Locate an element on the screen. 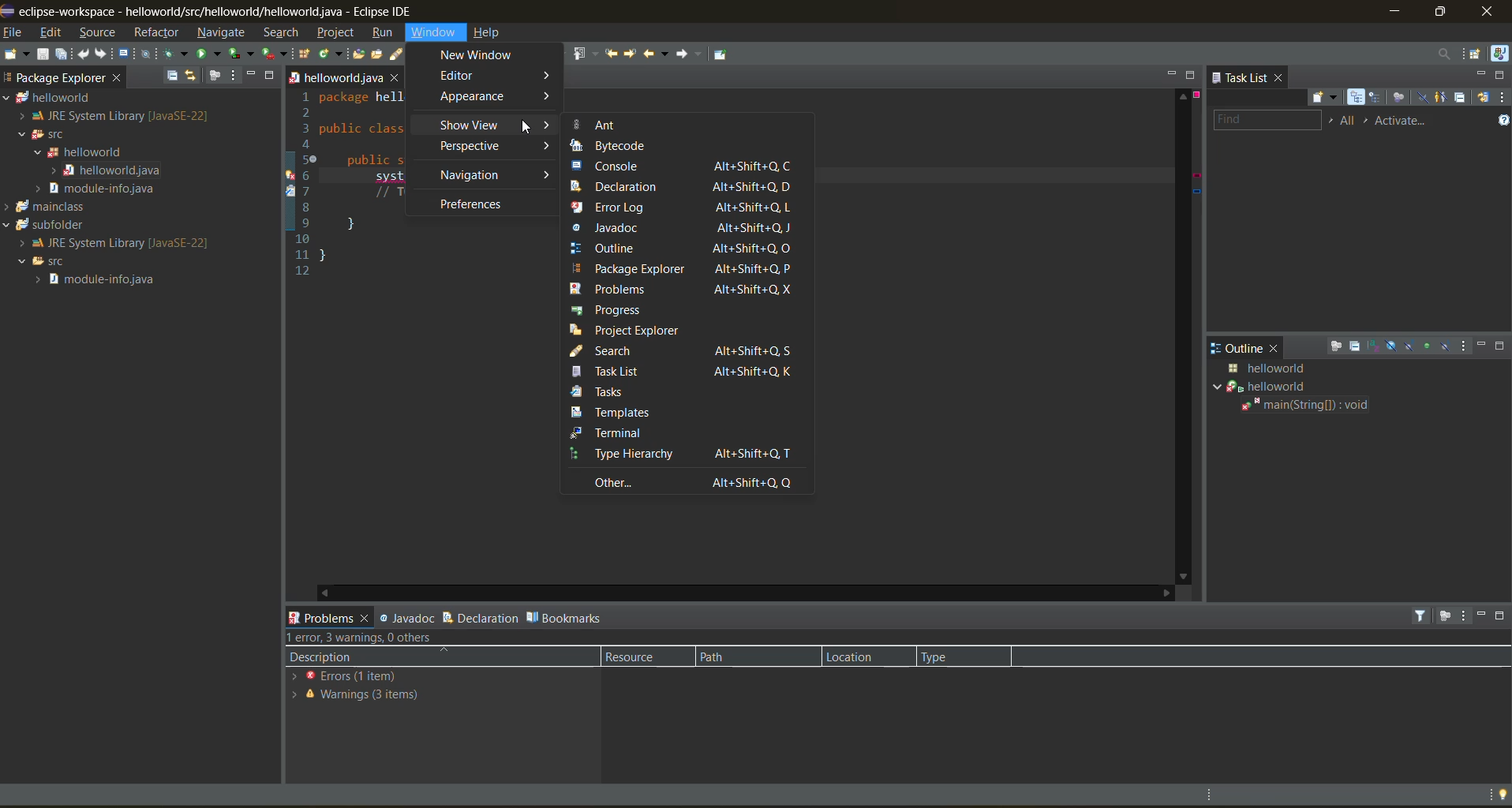 The height and width of the screenshot is (808, 1512). scheduled is located at coordinates (1376, 97).